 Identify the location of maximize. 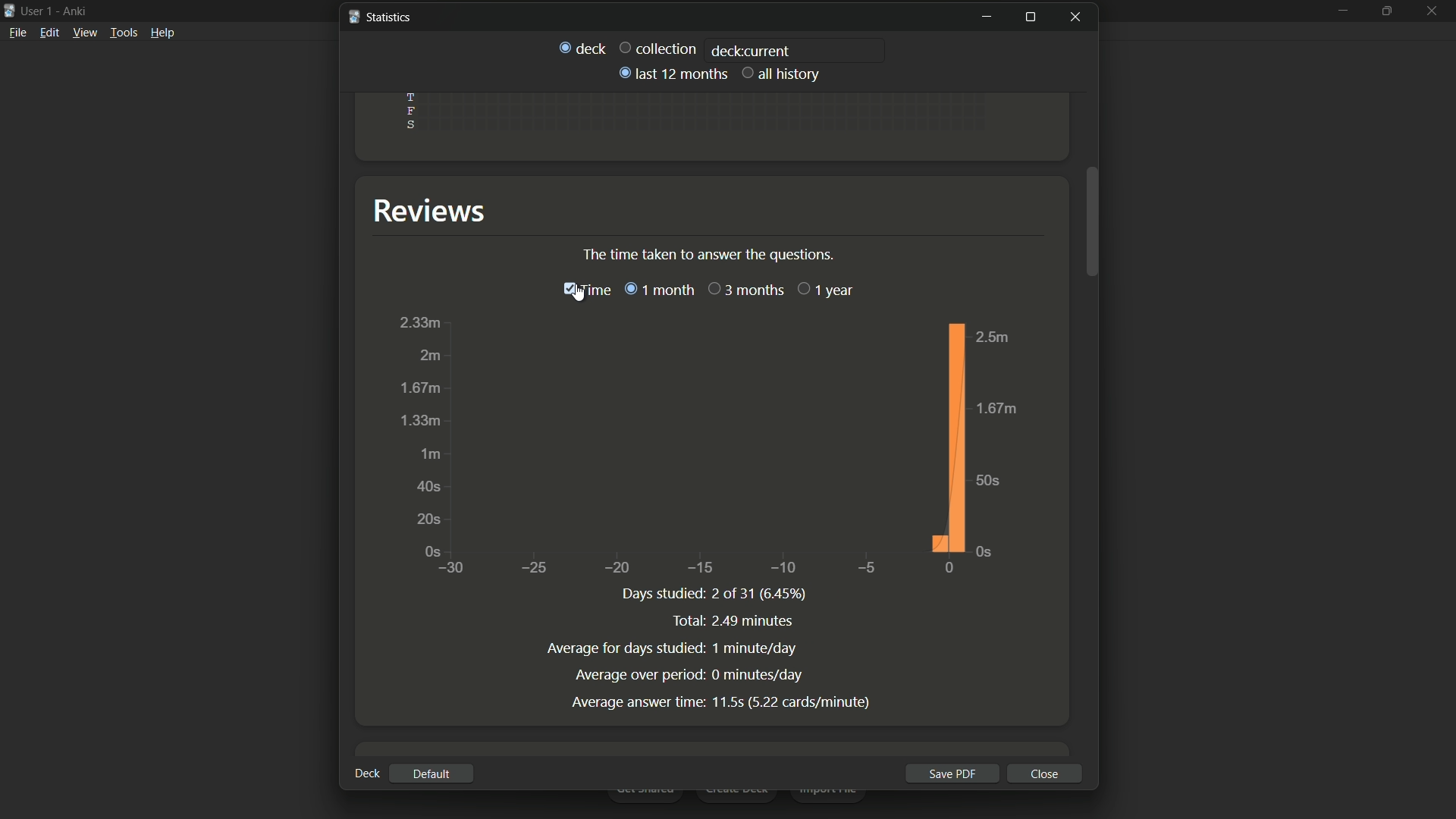
(1389, 11).